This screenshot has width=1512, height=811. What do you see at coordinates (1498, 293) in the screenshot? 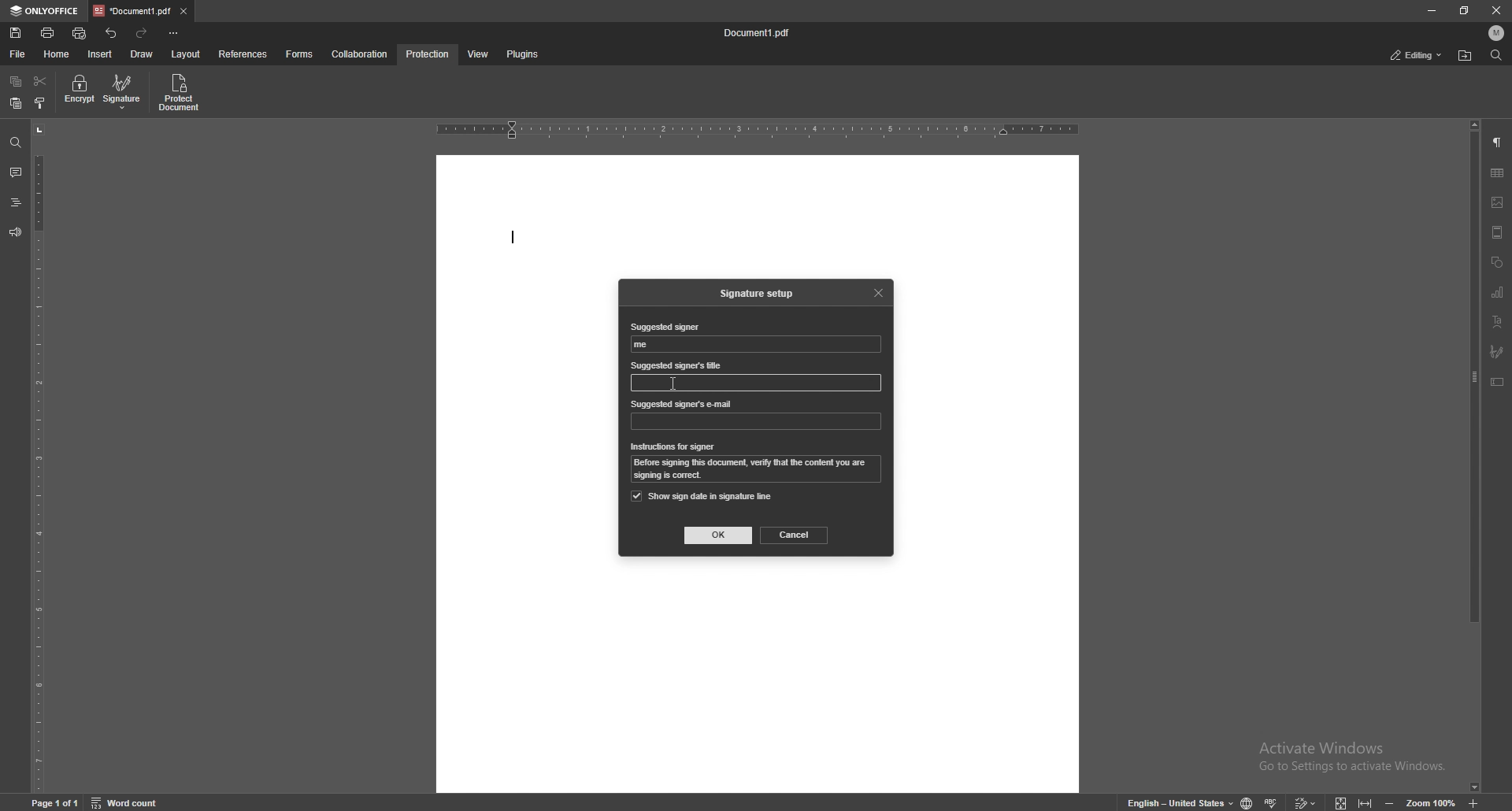
I see `chart` at bounding box center [1498, 293].